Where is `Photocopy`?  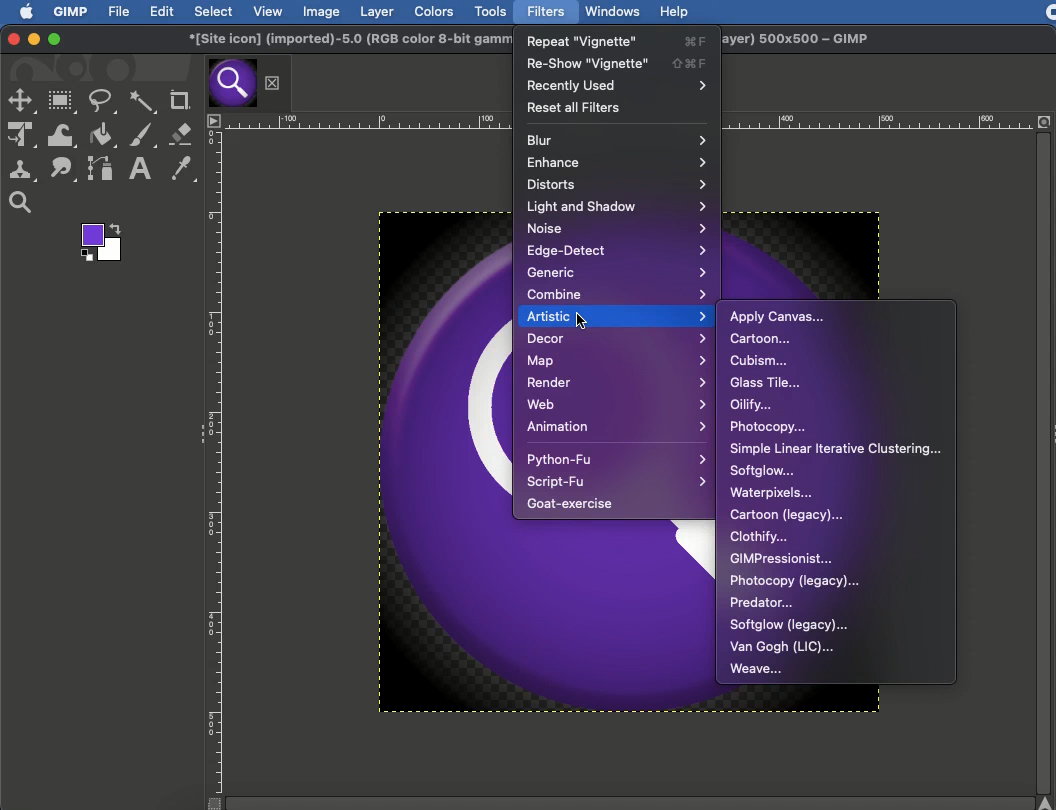 Photocopy is located at coordinates (795, 580).